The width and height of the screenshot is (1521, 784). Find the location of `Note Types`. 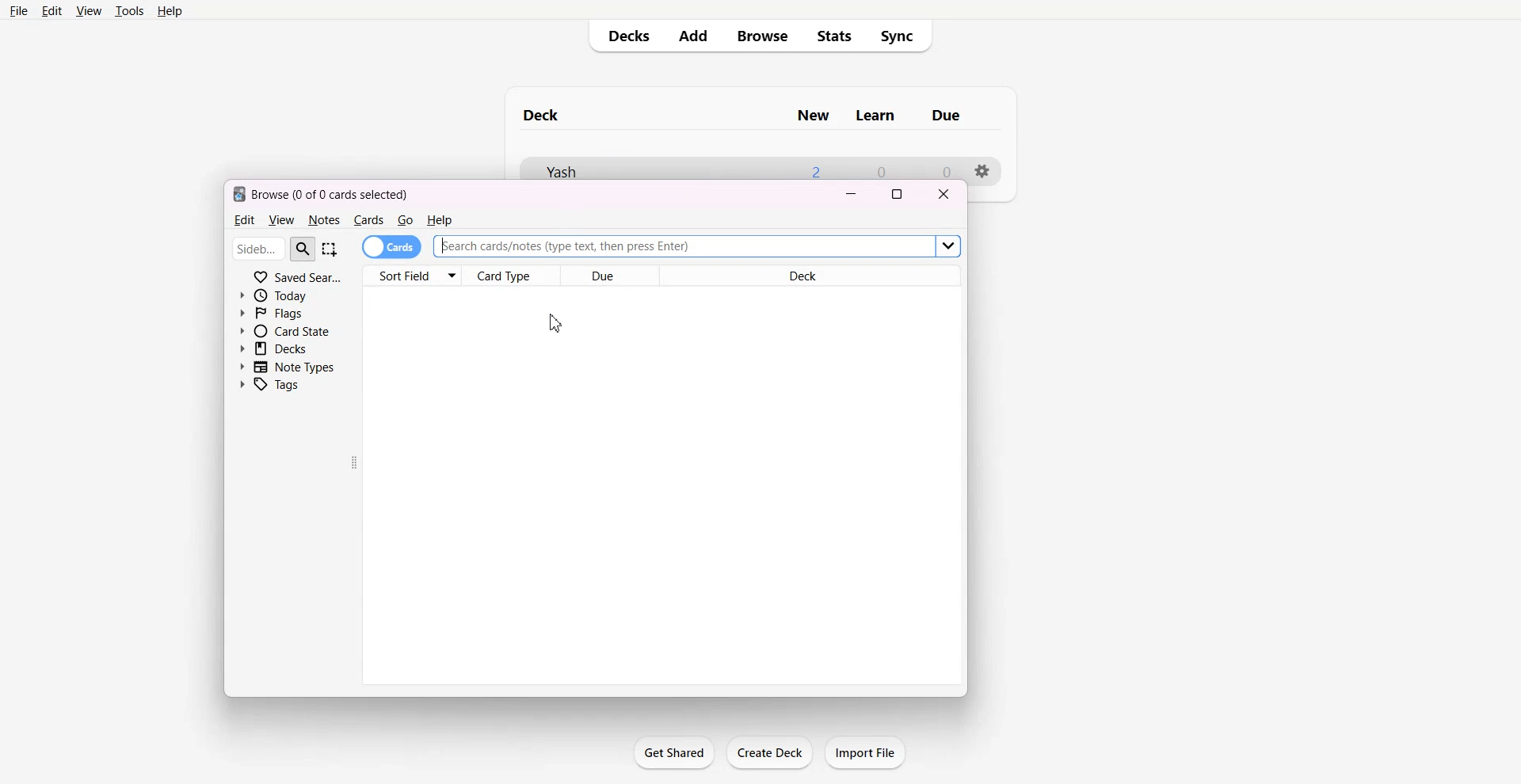

Note Types is located at coordinates (287, 366).